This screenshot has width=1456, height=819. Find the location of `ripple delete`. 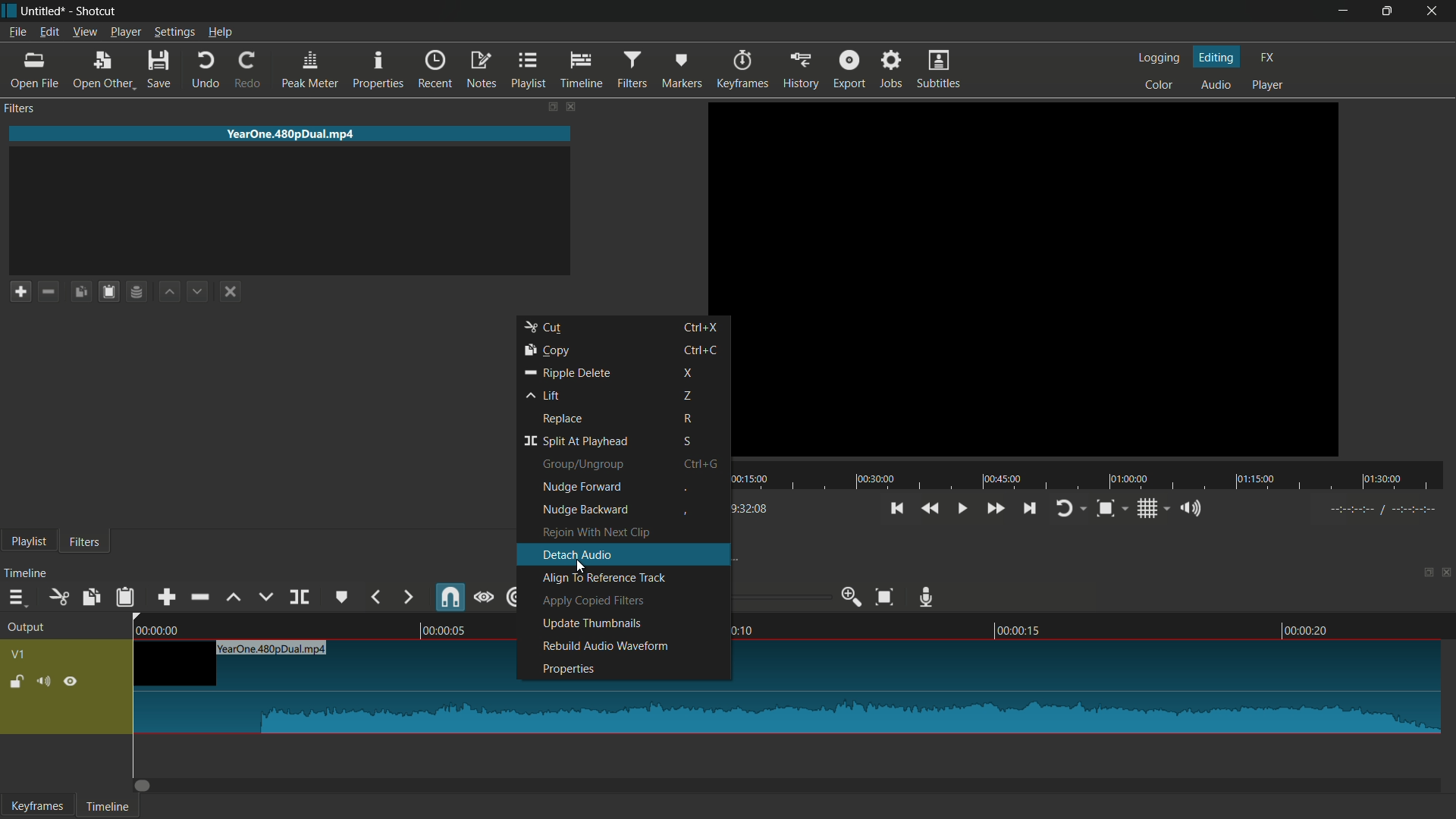

ripple delete is located at coordinates (566, 372).